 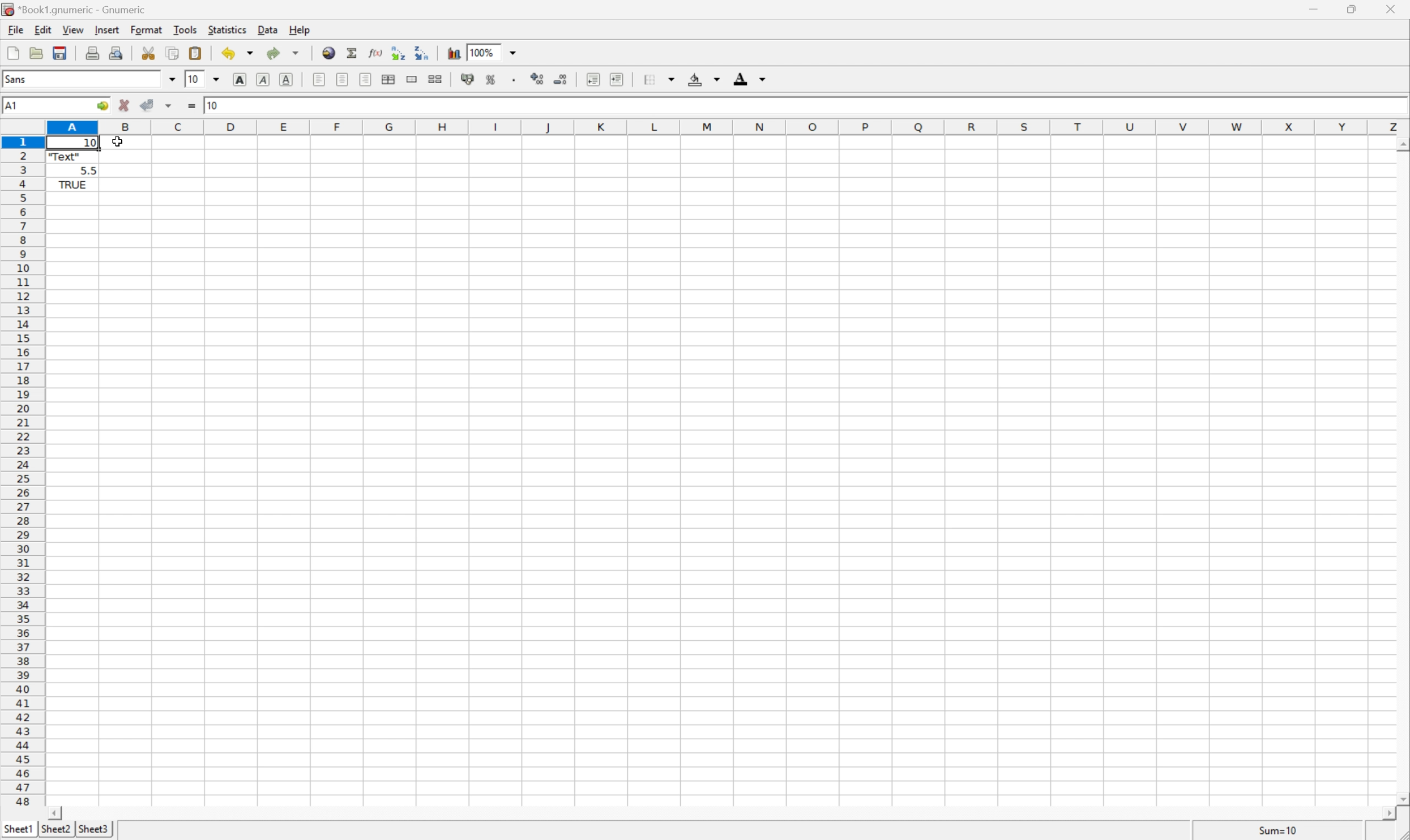 What do you see at coordinates (327, 53) in the screenshot?
I see `Insert a hyperlink` at bounding box center [327, 53].